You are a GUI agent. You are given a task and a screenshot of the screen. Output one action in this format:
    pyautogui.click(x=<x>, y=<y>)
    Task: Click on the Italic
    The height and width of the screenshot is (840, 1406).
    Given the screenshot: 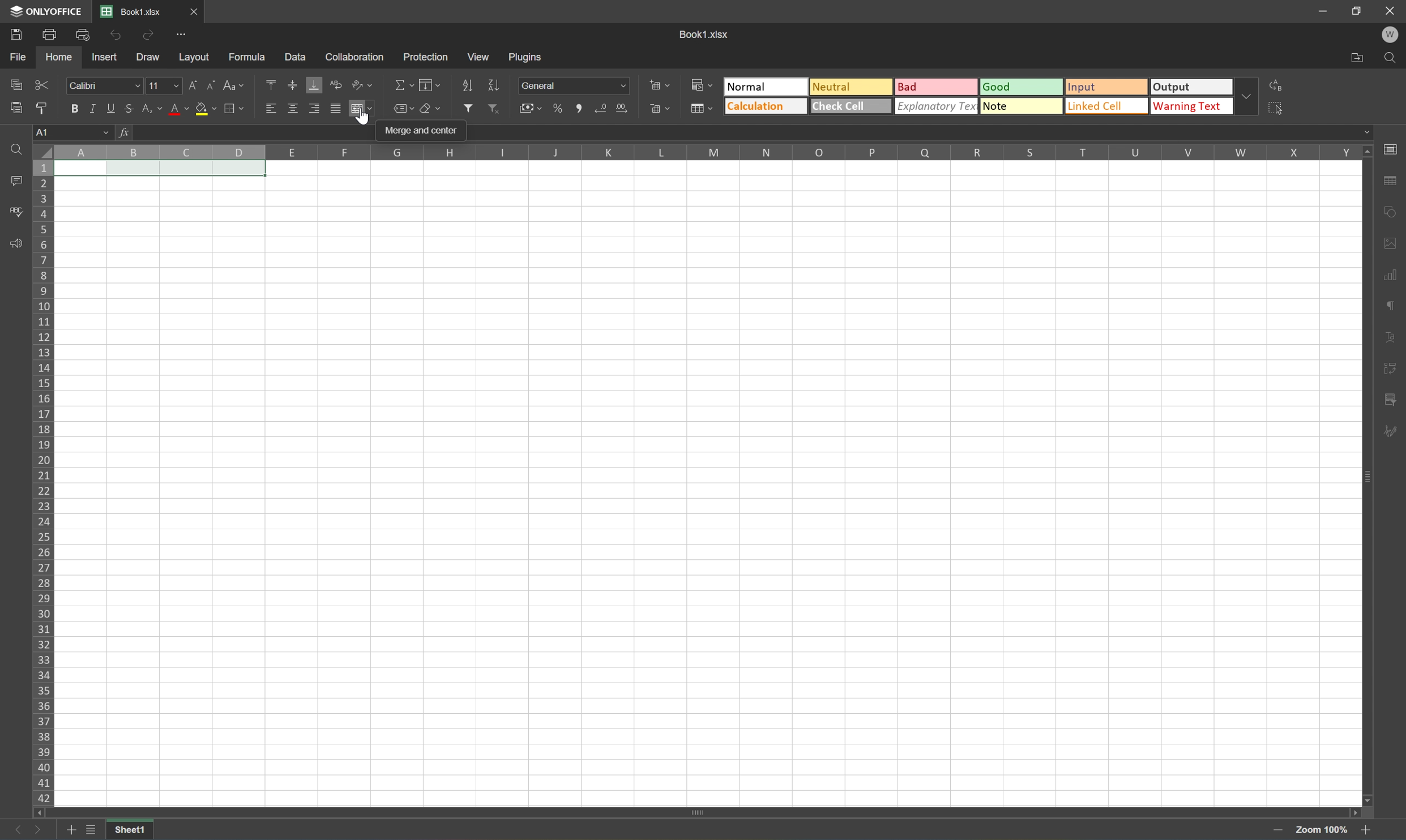 What is the action you would take?
    pyautogui.click(x=97, y=109)
    